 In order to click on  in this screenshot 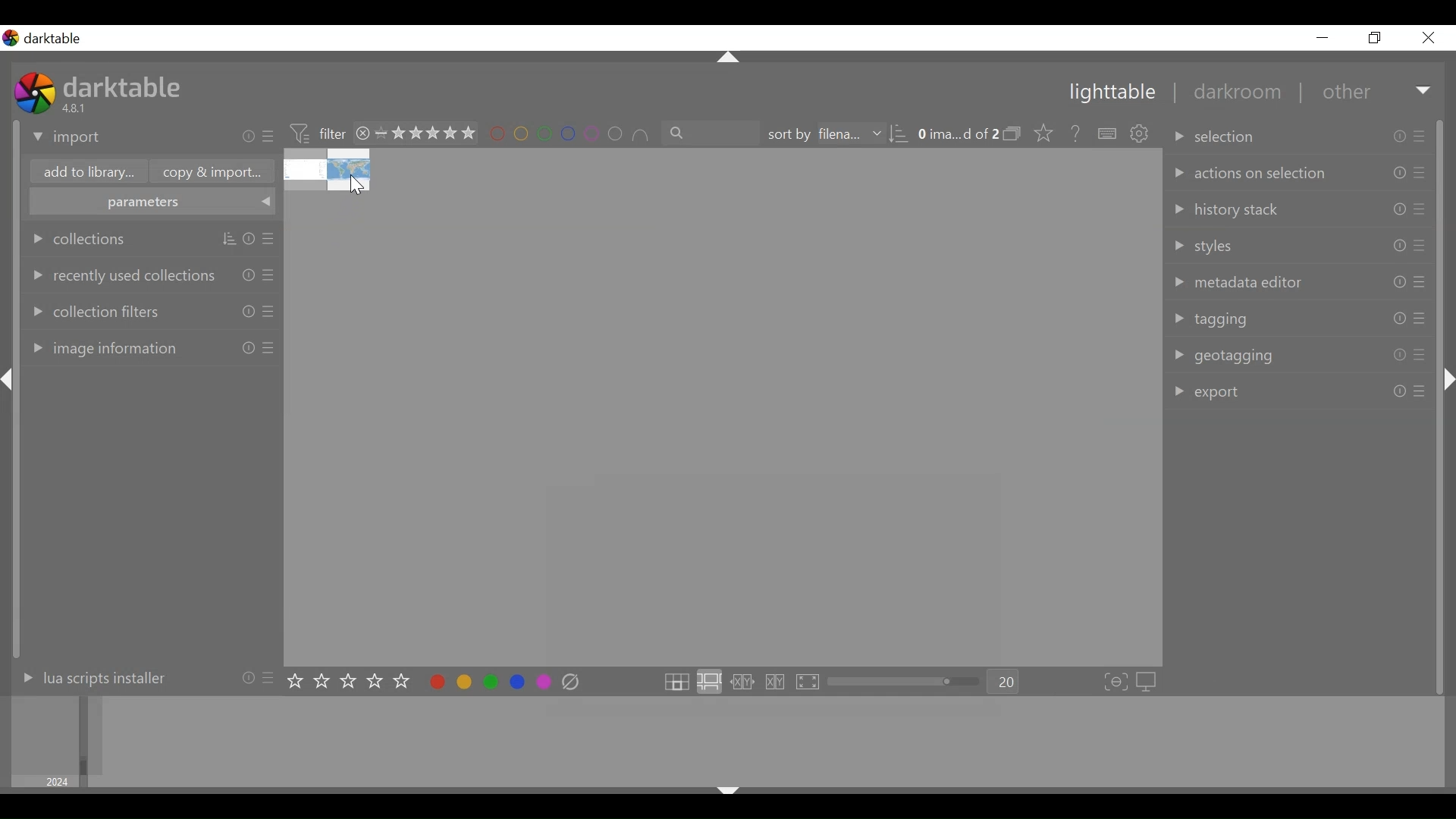, I will do `click(1398, 175)`.